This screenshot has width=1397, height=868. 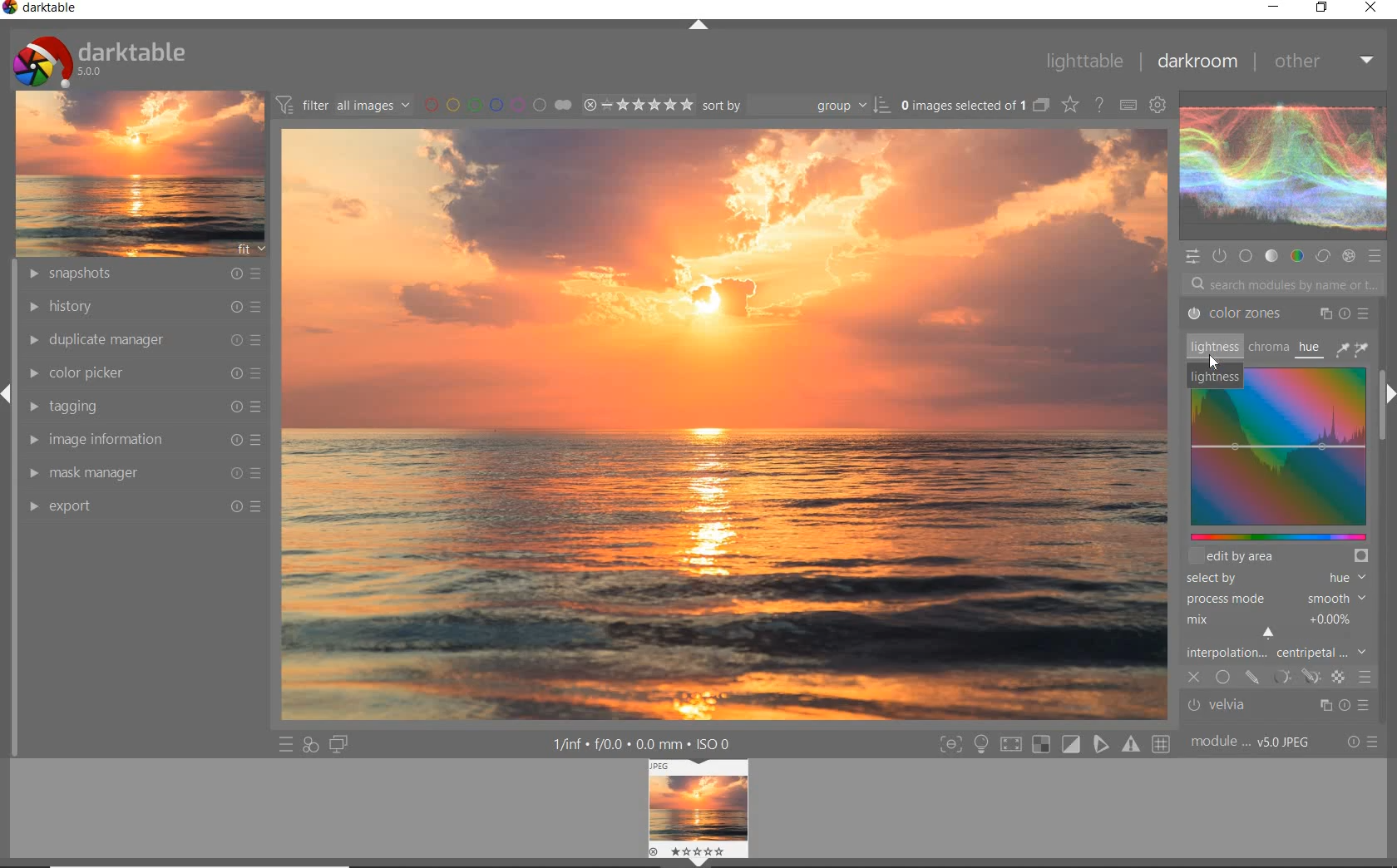 What do you see at coordinates (343, 104) in the screenshot?
I see `FITER IMAGES` at bounding box center [343, 104].